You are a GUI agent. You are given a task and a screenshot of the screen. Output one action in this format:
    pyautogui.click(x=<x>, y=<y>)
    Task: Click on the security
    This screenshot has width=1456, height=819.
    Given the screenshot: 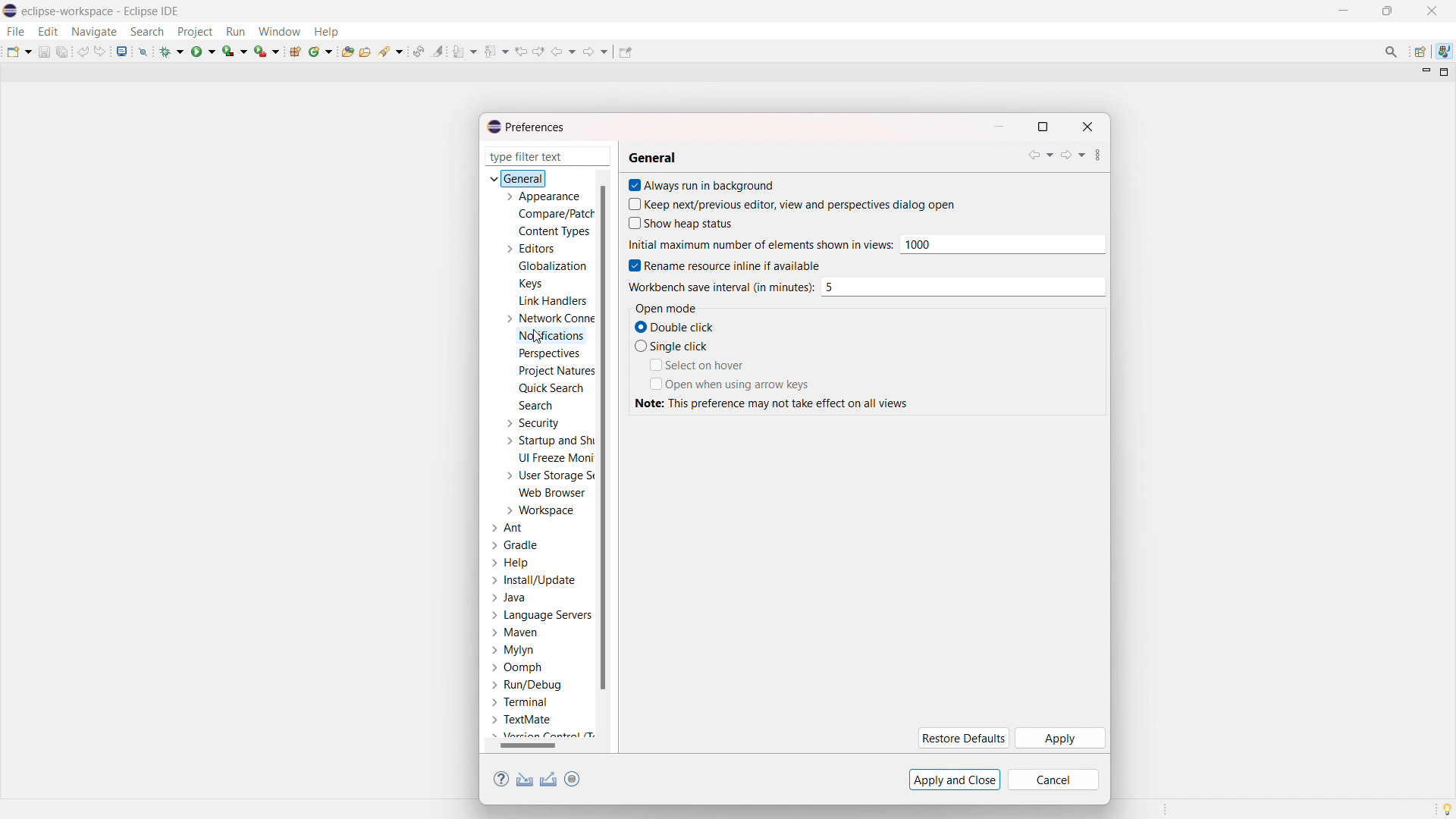 What is the action you would take?
    pyautogui.click(x=532, y=423)
    